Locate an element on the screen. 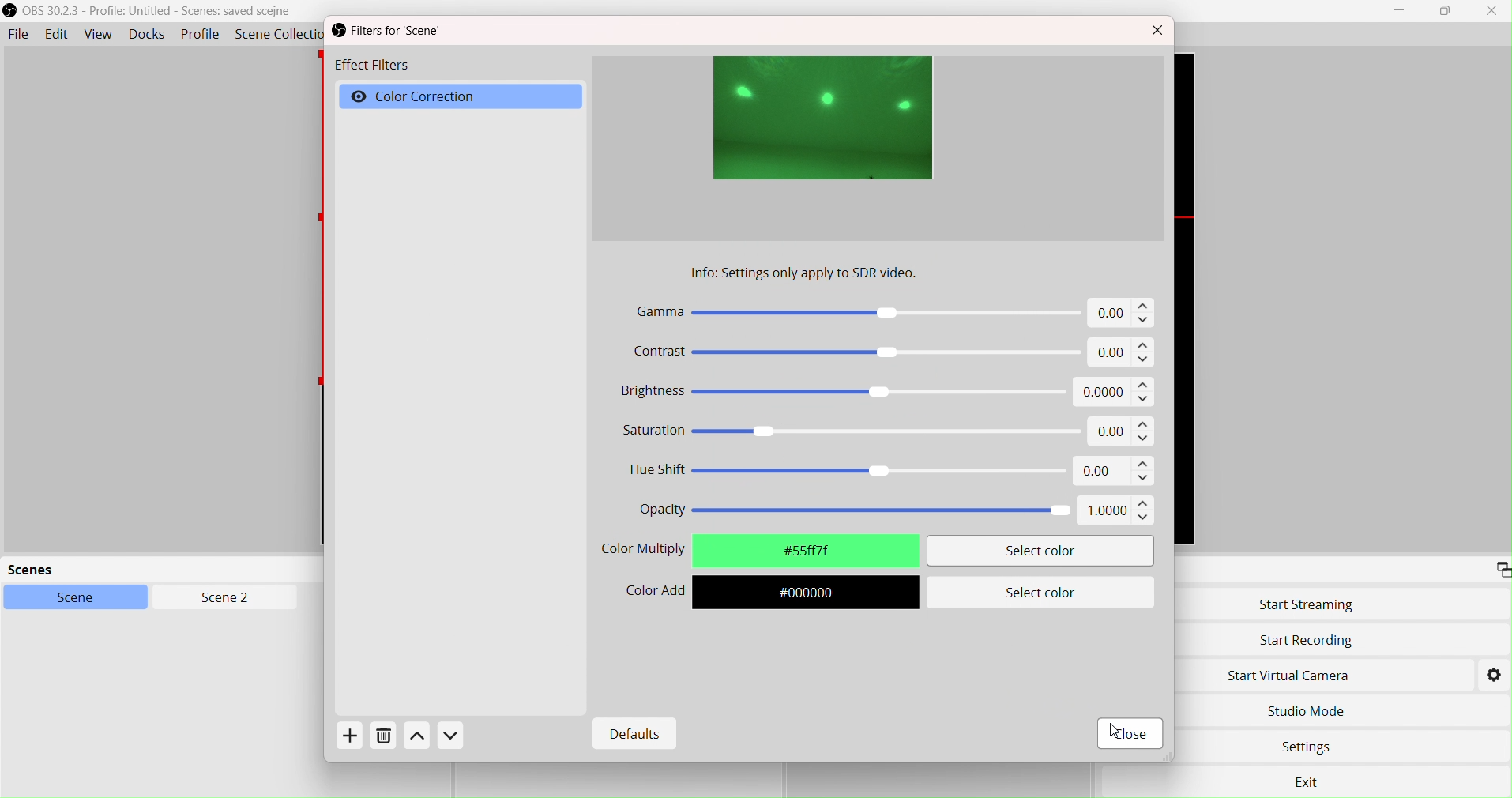 The height and width of the screenshot is (798, 1512). Defaults is located at coordinates (630, 735).